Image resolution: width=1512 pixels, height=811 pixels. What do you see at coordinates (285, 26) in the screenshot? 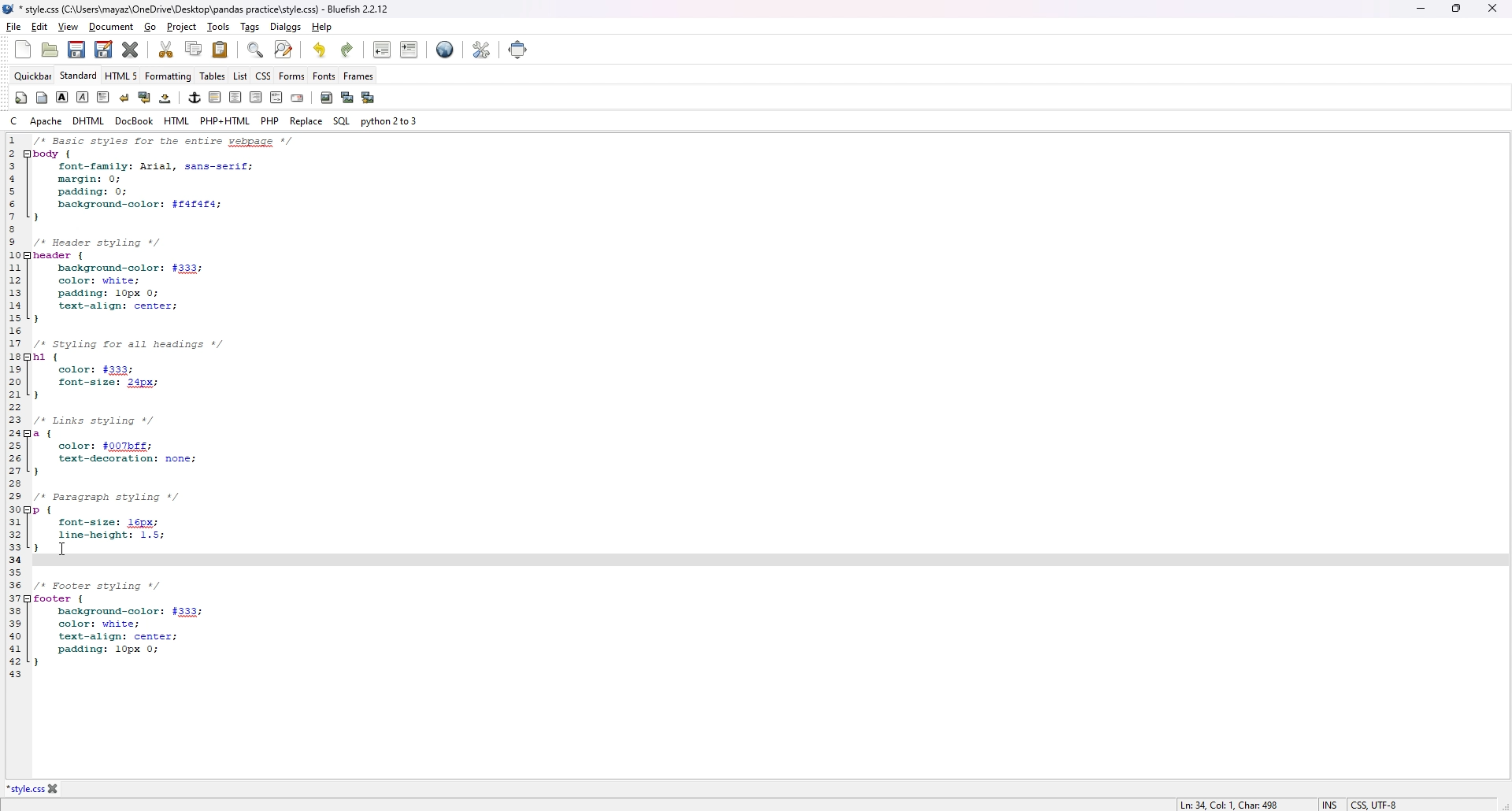
I see `dialogs` at bounding box center [285, 26].